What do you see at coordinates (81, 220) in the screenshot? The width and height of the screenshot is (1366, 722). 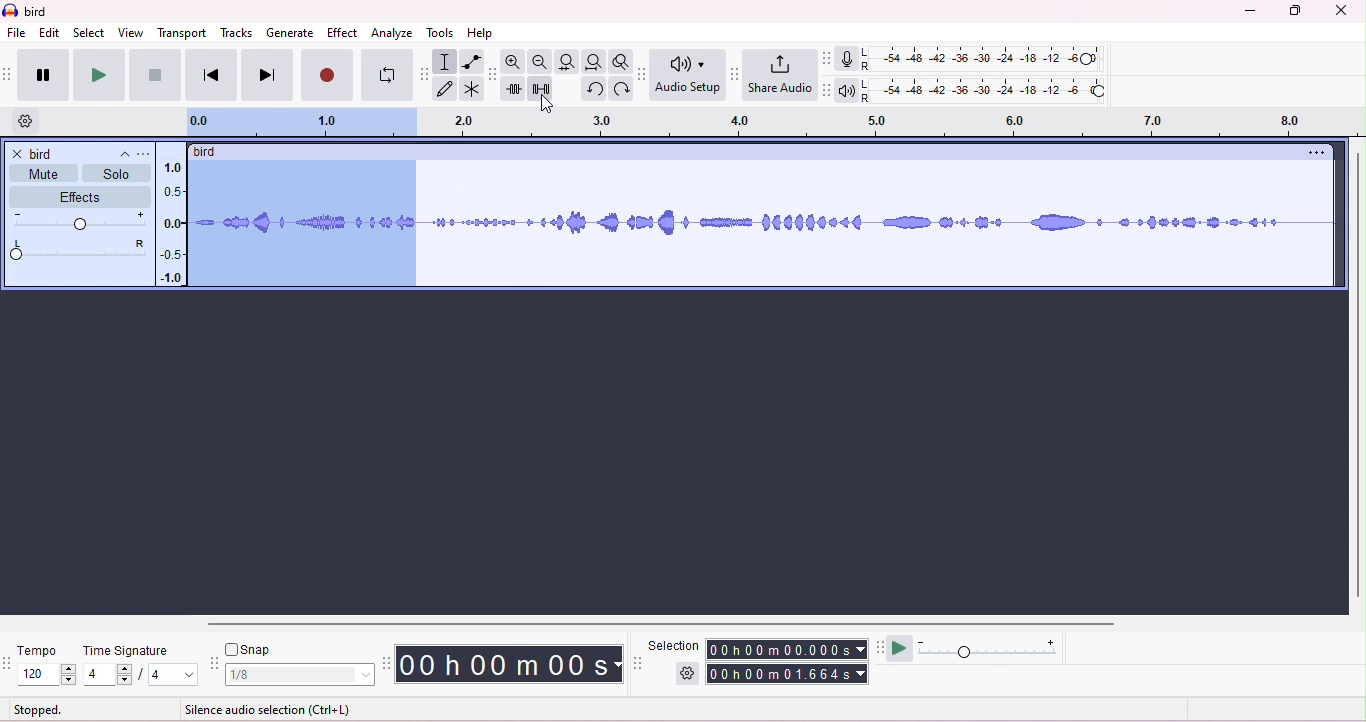 I see `volume` at bounding box center [81, 220].